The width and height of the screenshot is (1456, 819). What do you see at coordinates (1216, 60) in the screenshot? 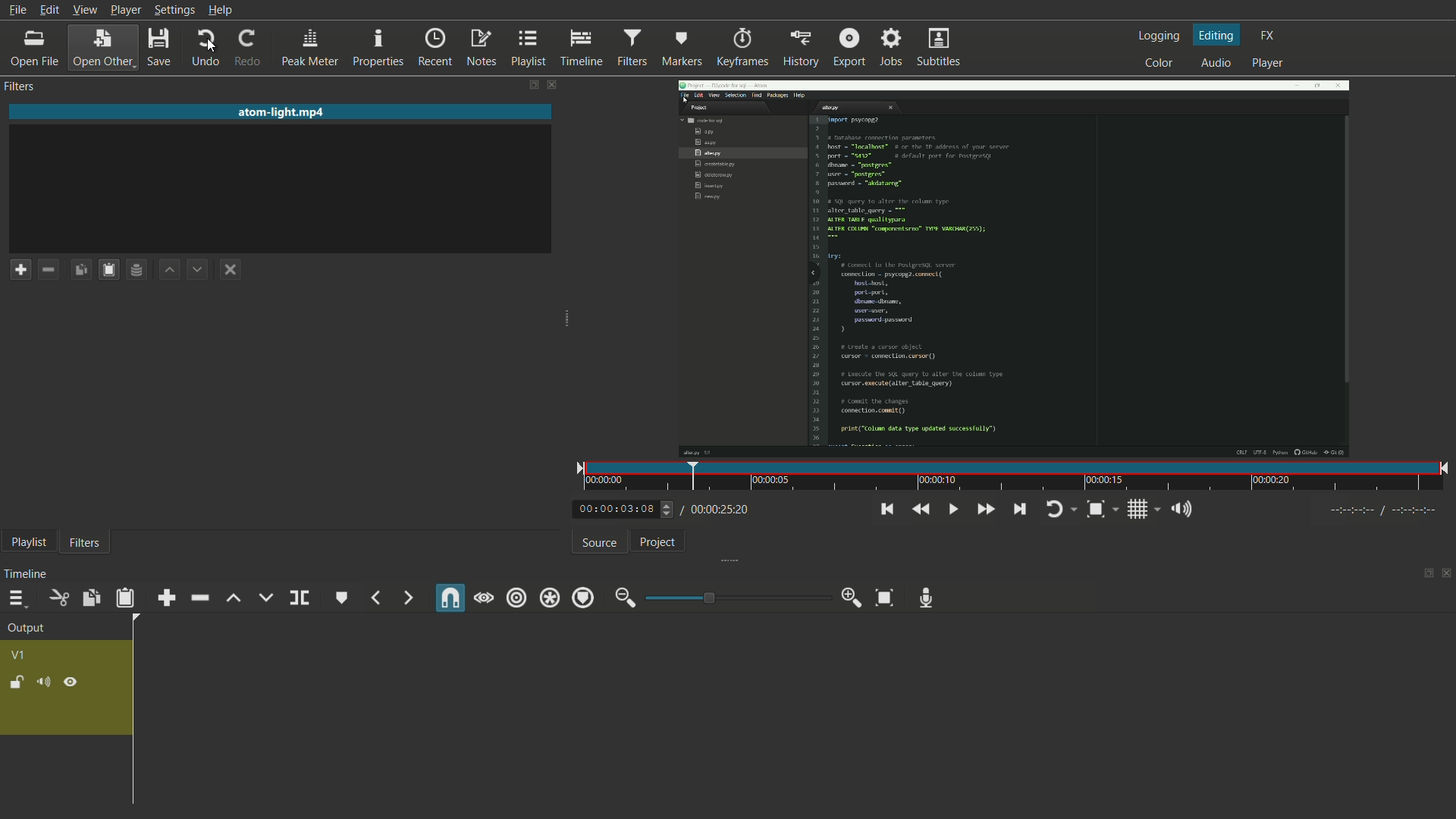
I see `audio` at bounding box center [1216, 60].